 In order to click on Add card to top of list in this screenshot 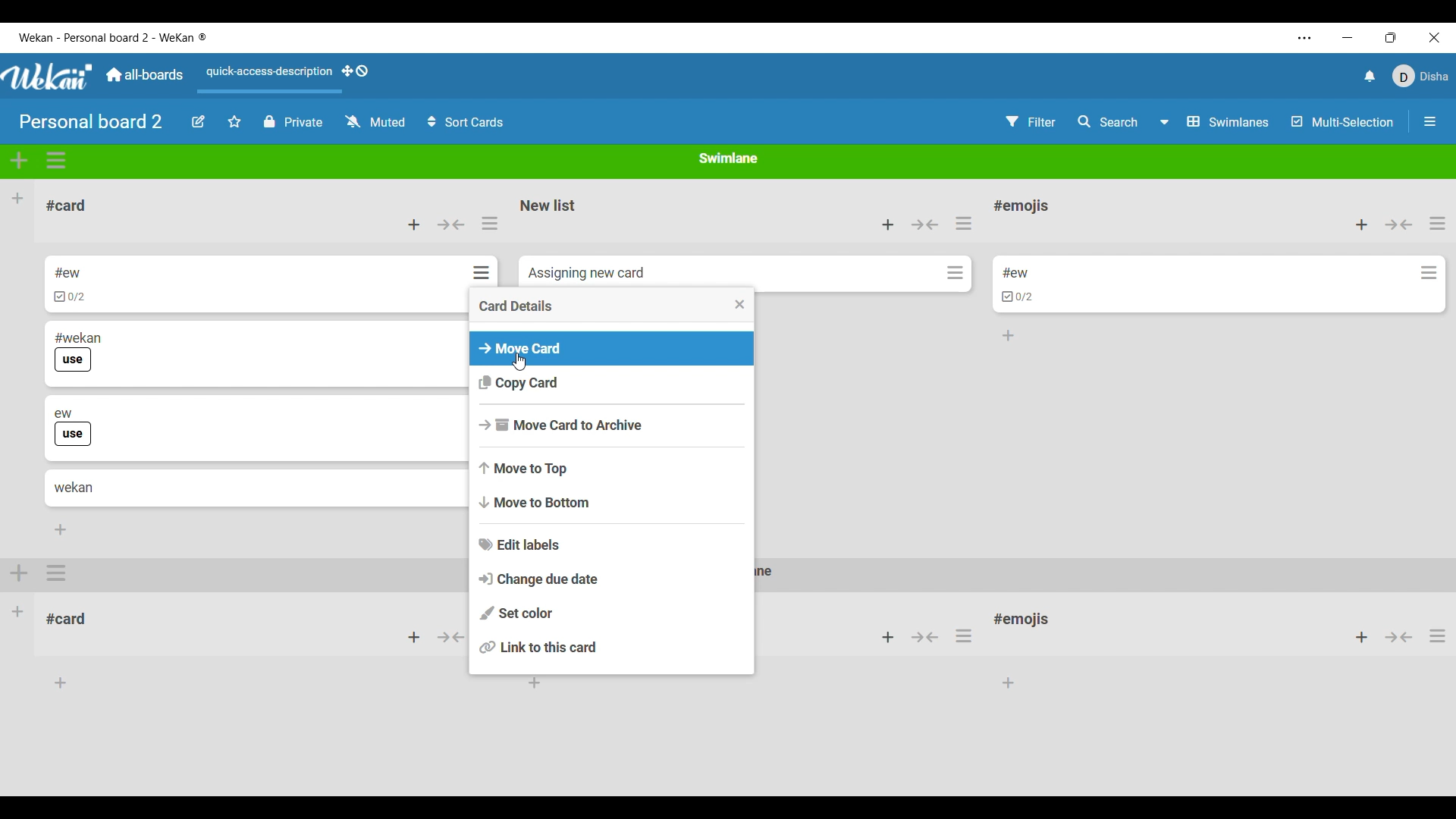, I will do `click(414, 224)`.